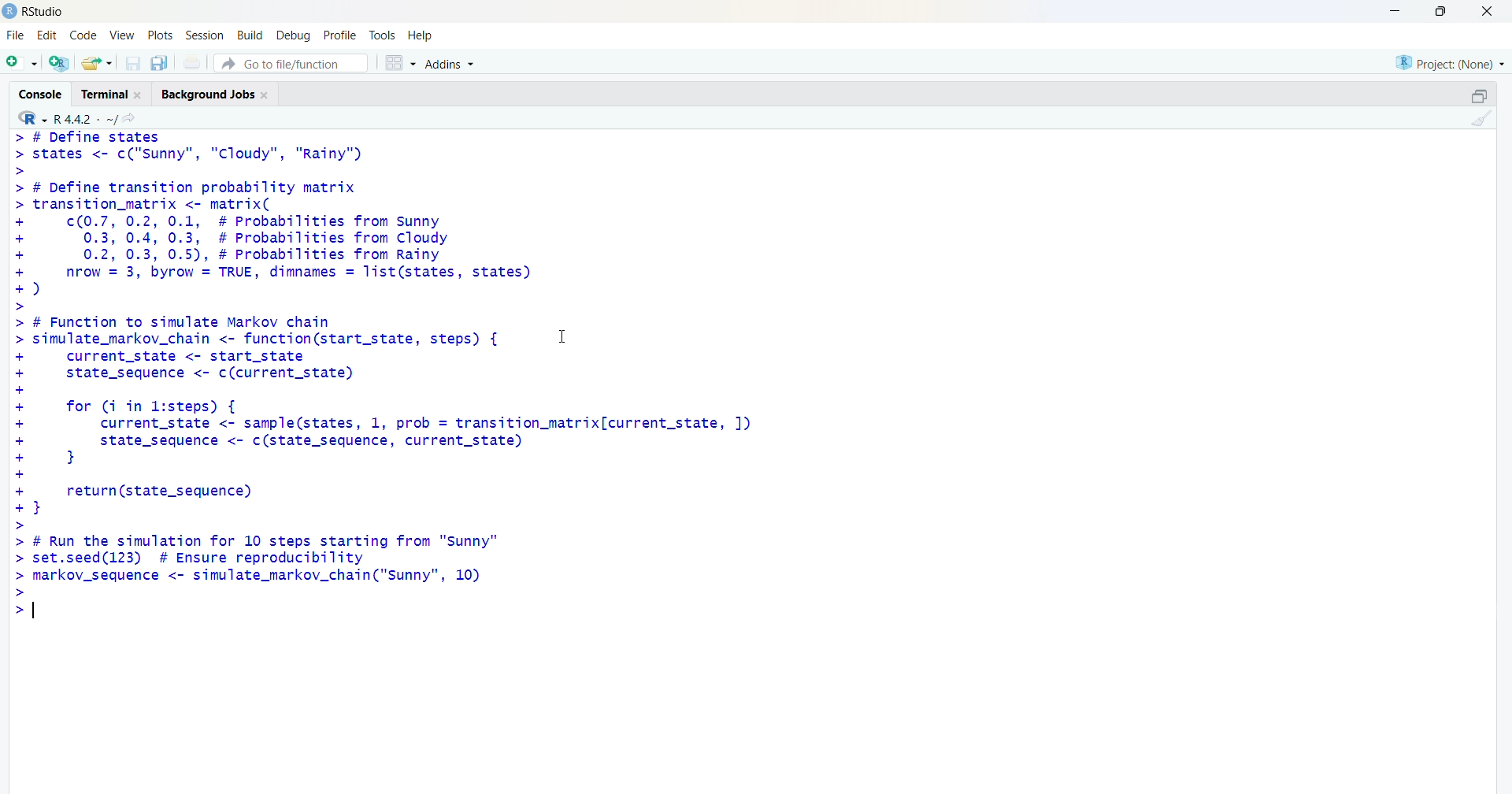 The height and width of the screenshot is (794, 1512). I want to click on clear console, so click(1482, 119).